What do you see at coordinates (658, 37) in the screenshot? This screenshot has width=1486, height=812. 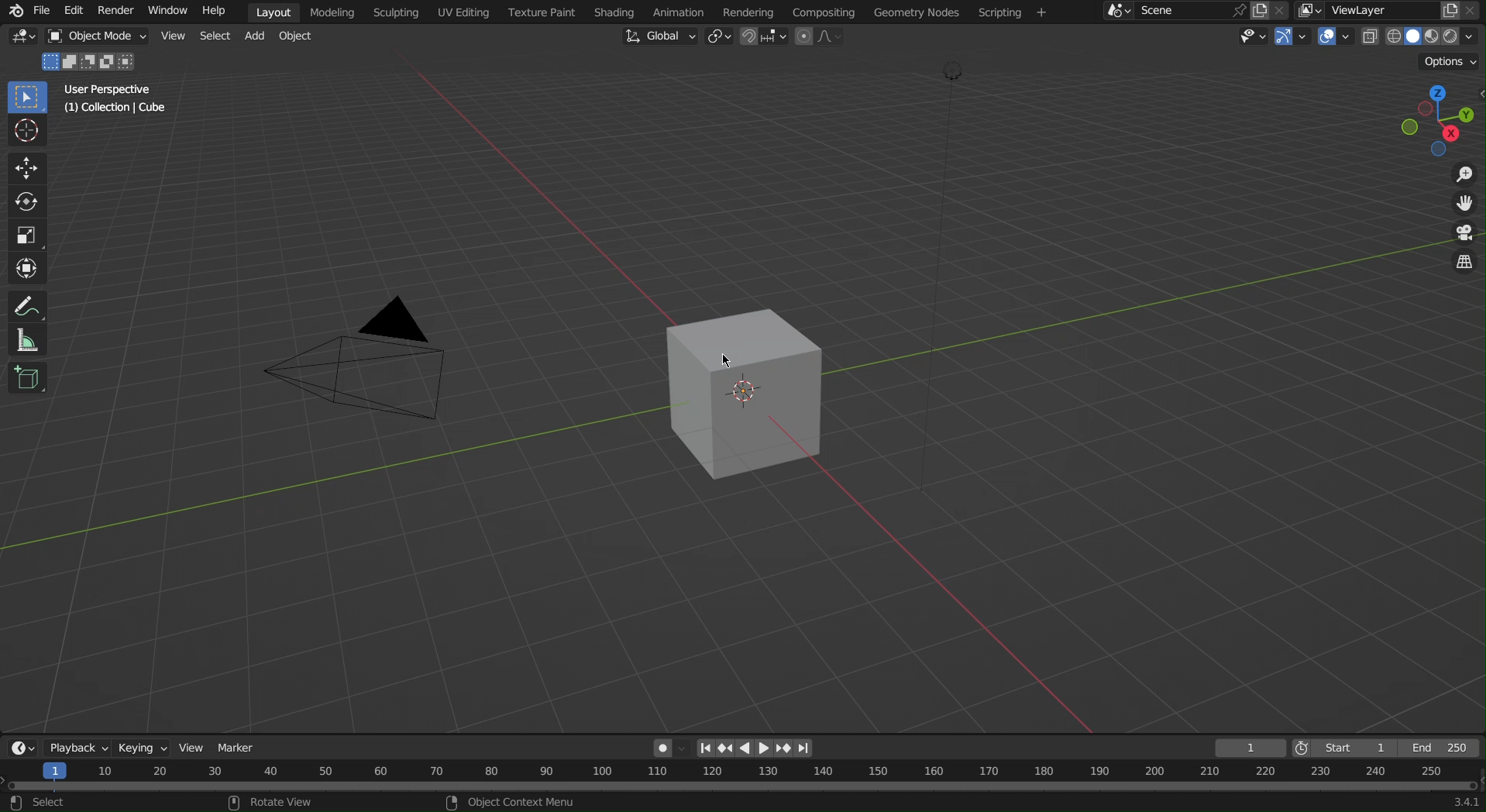 I see `Global` at bounding box center [658, 37].